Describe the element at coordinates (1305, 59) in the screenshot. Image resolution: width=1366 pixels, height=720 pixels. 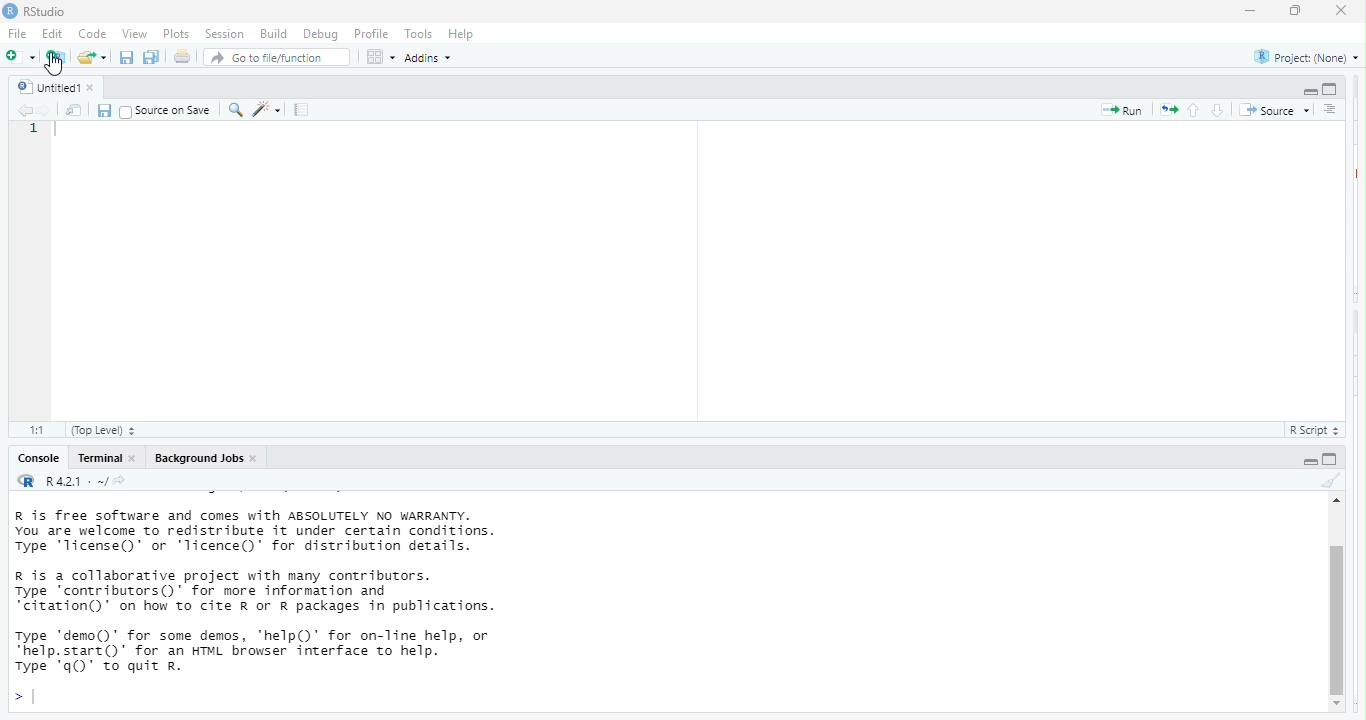
I see ` project: (None)` at that location.